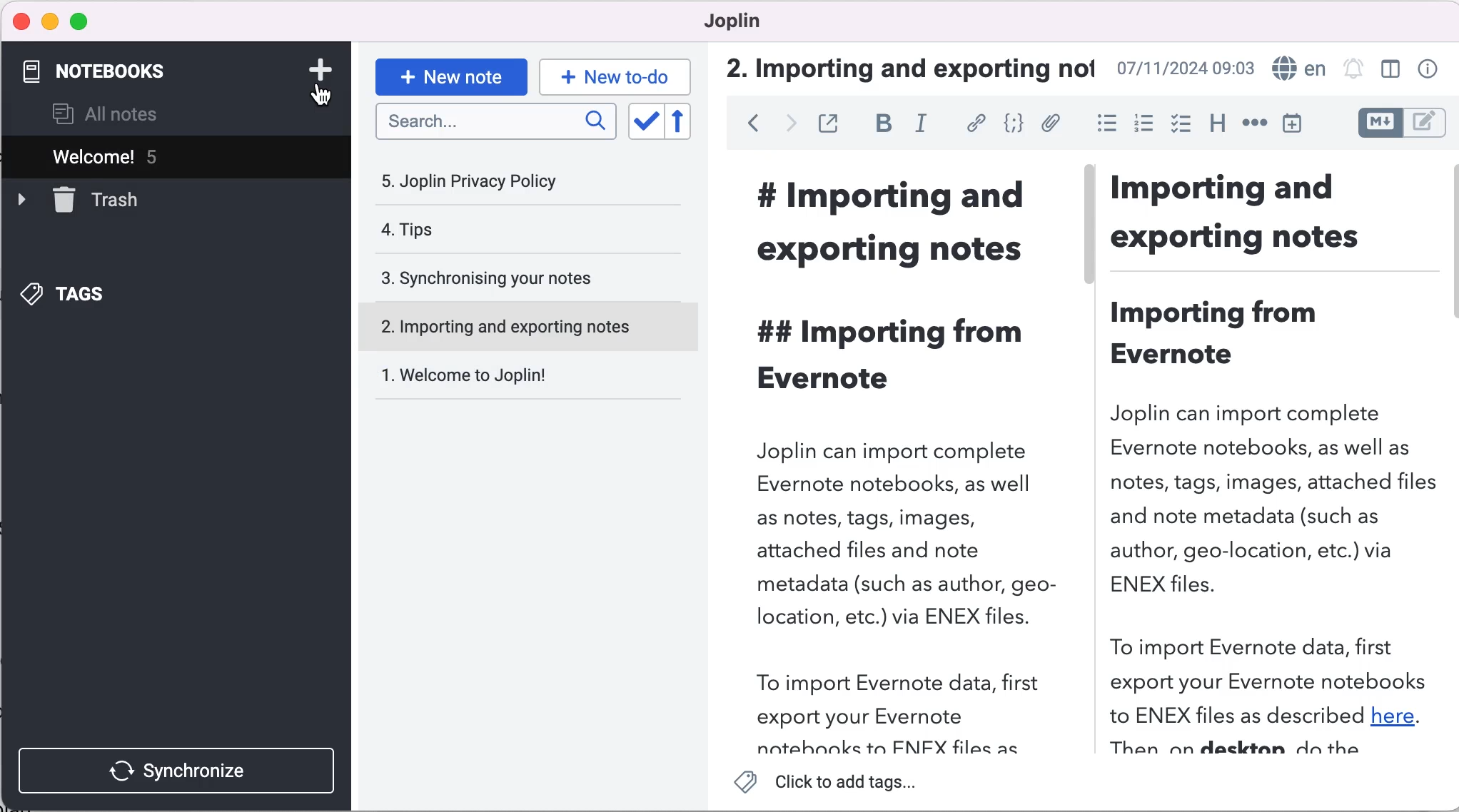 Image resolution: width=1459 pixels, height=812 pixels. What do you see at coordinates (1181, 124) in the screenshot?
I see `checkbox` at bounding box center [1181, 124].